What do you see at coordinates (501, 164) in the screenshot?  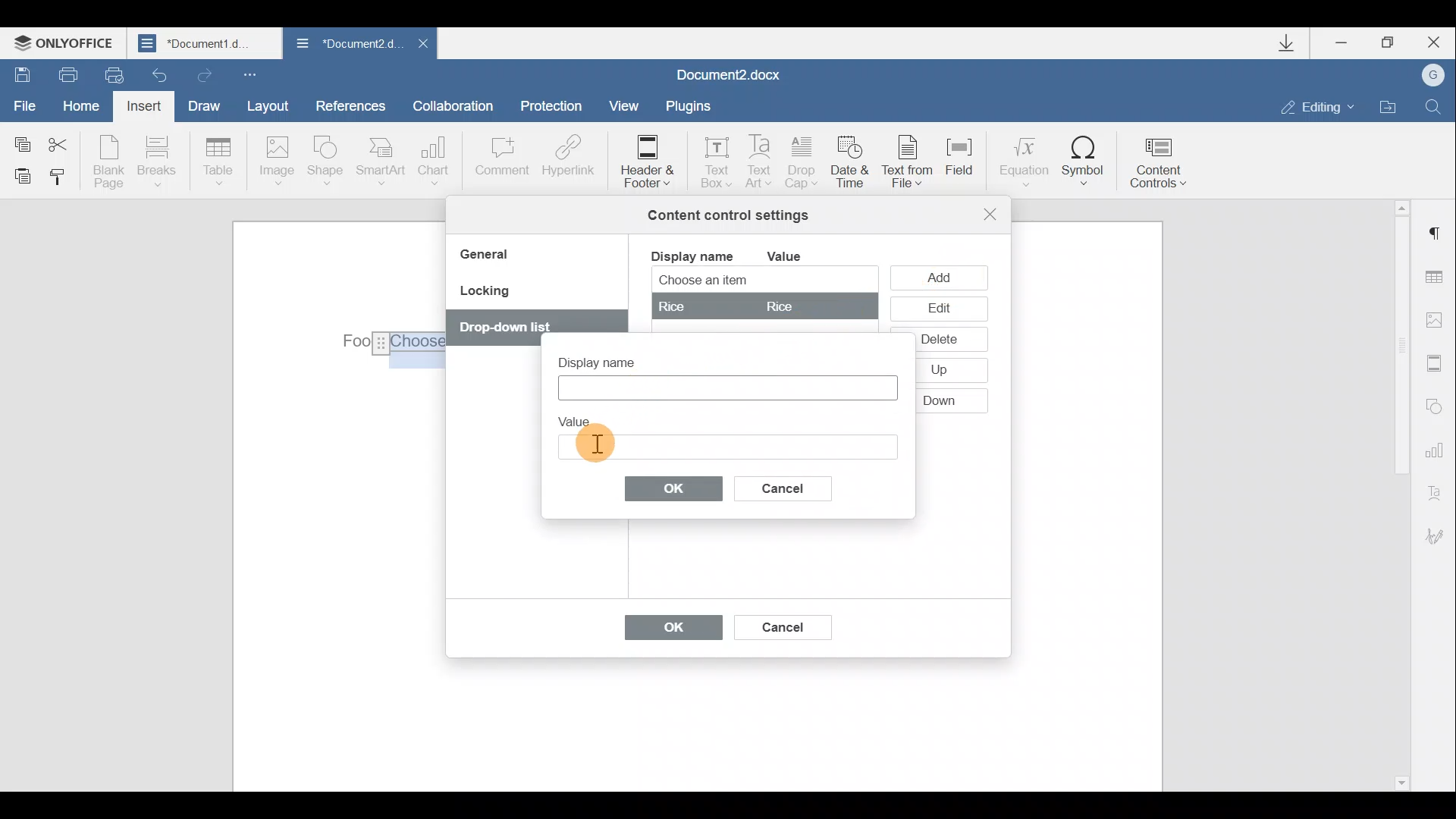 I see `Comment` at bounding box center [501, 164].